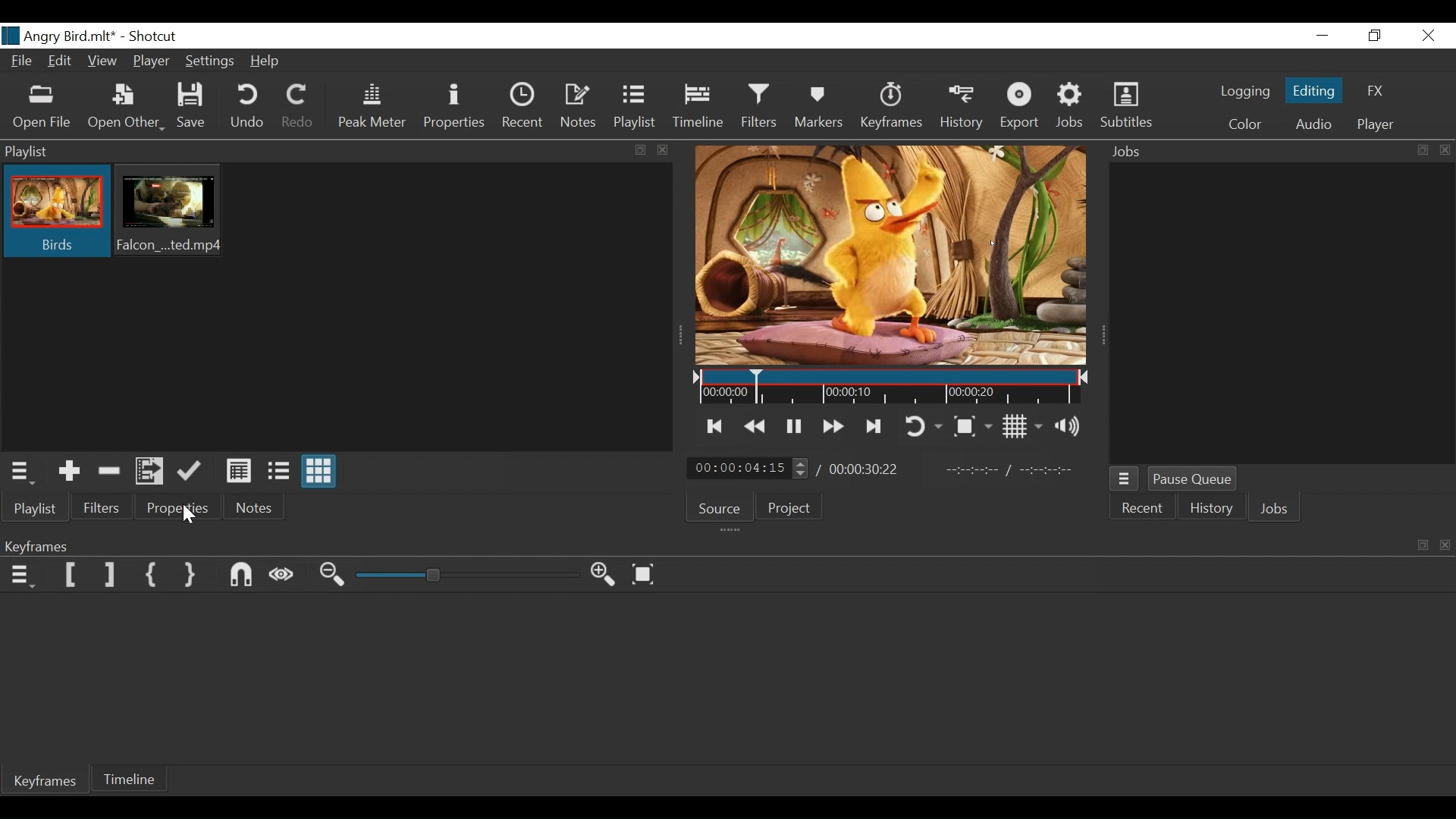  I want to click on History, so click(961, 111).